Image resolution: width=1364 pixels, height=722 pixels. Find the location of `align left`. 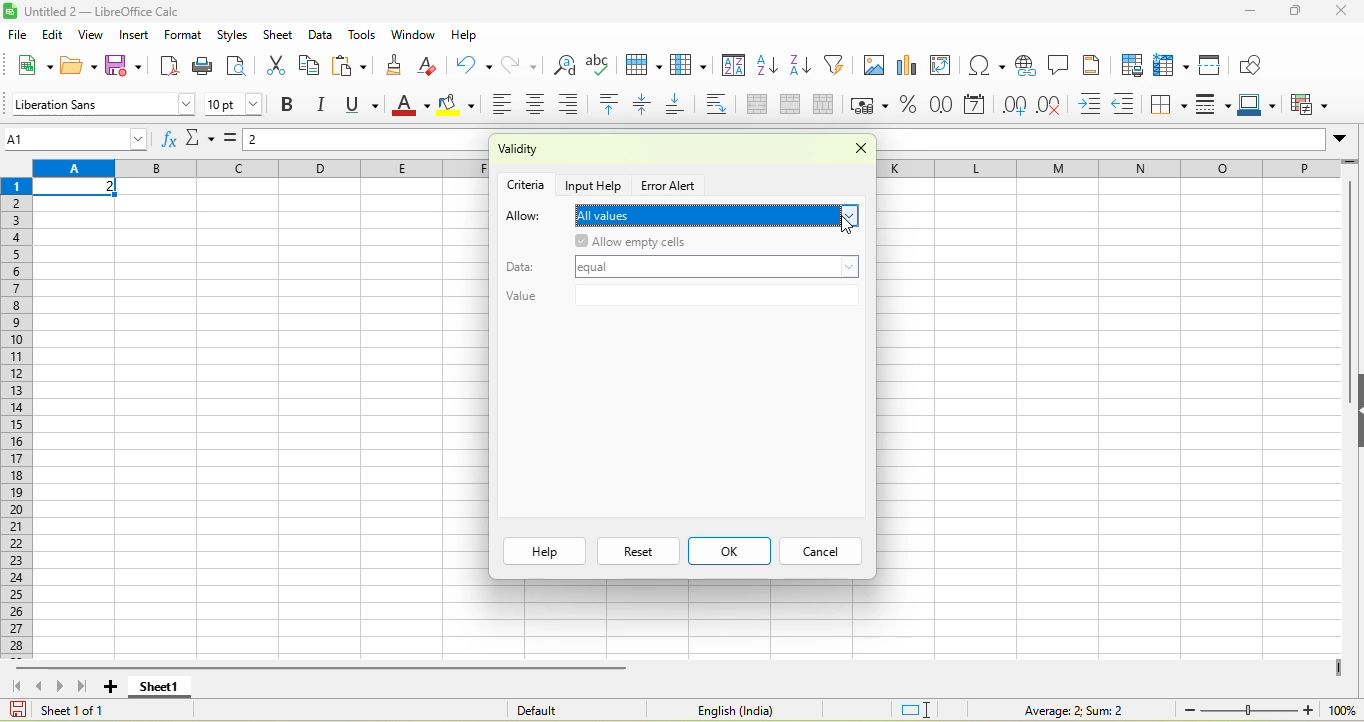

align left is located at coordinates (500, 106).